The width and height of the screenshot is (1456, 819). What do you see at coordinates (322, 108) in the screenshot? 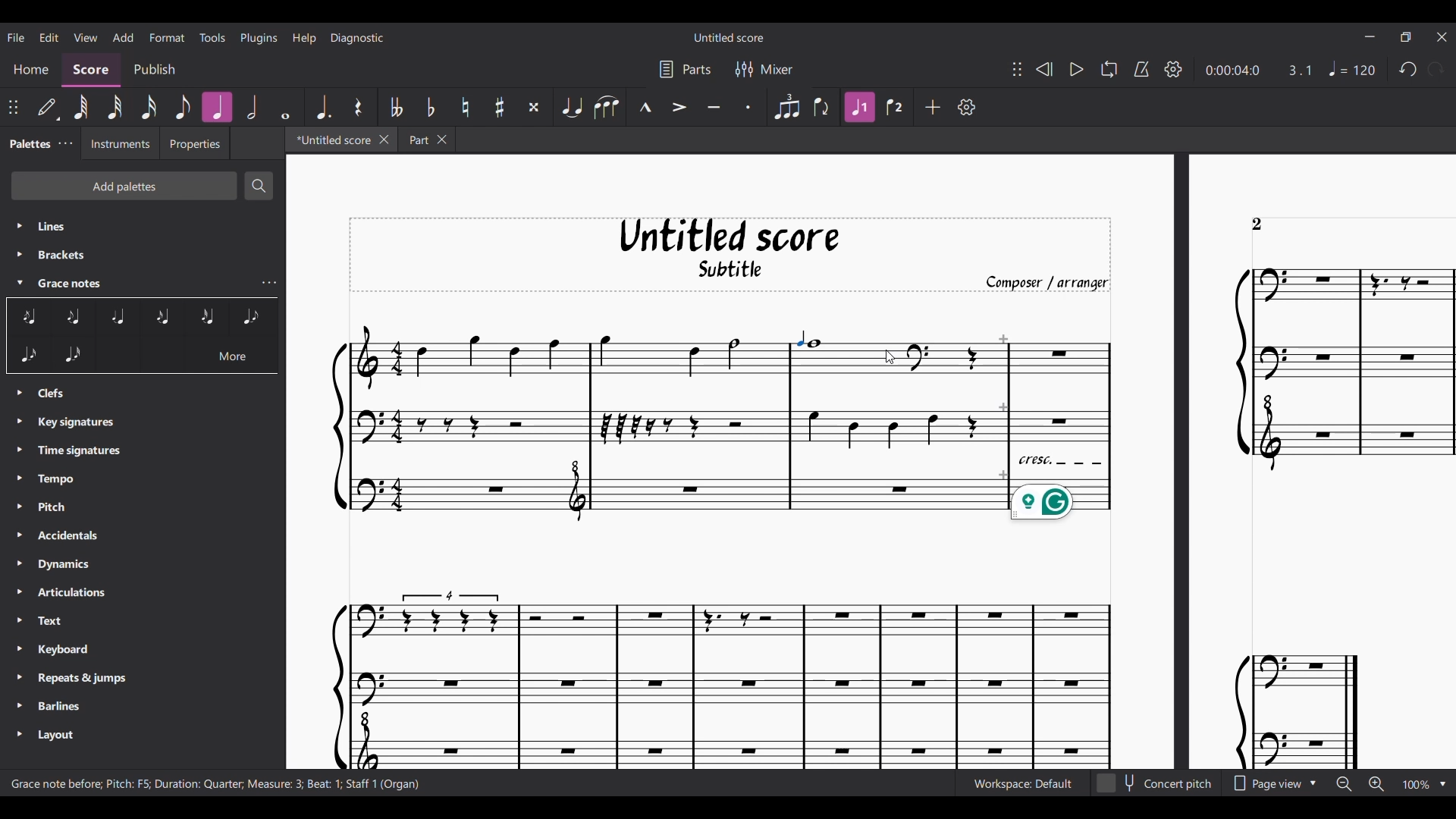
I see `Augmentation dot` at bounding box center [322, 108].